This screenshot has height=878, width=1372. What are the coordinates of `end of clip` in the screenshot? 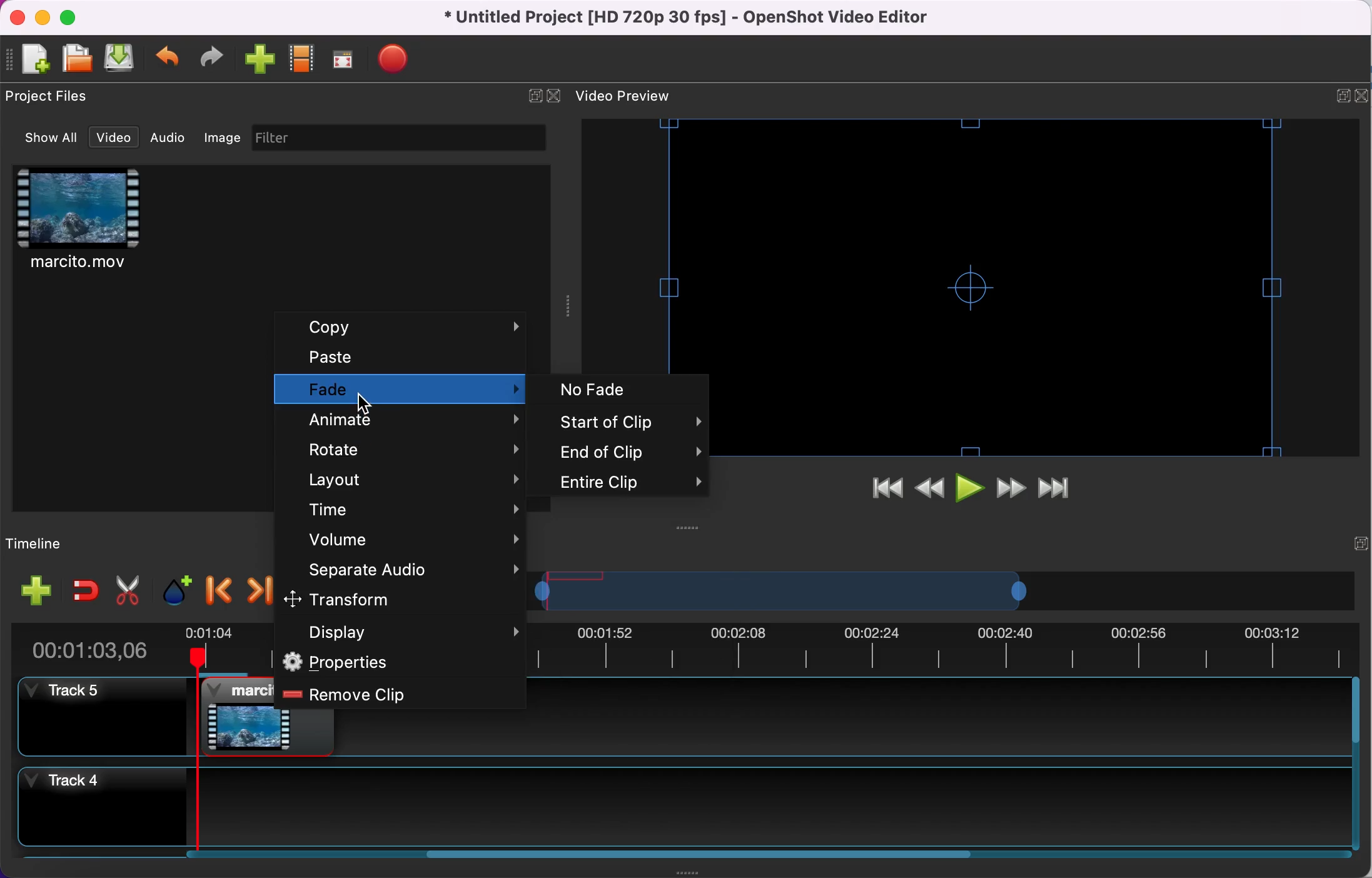 It's located at (630, 449).